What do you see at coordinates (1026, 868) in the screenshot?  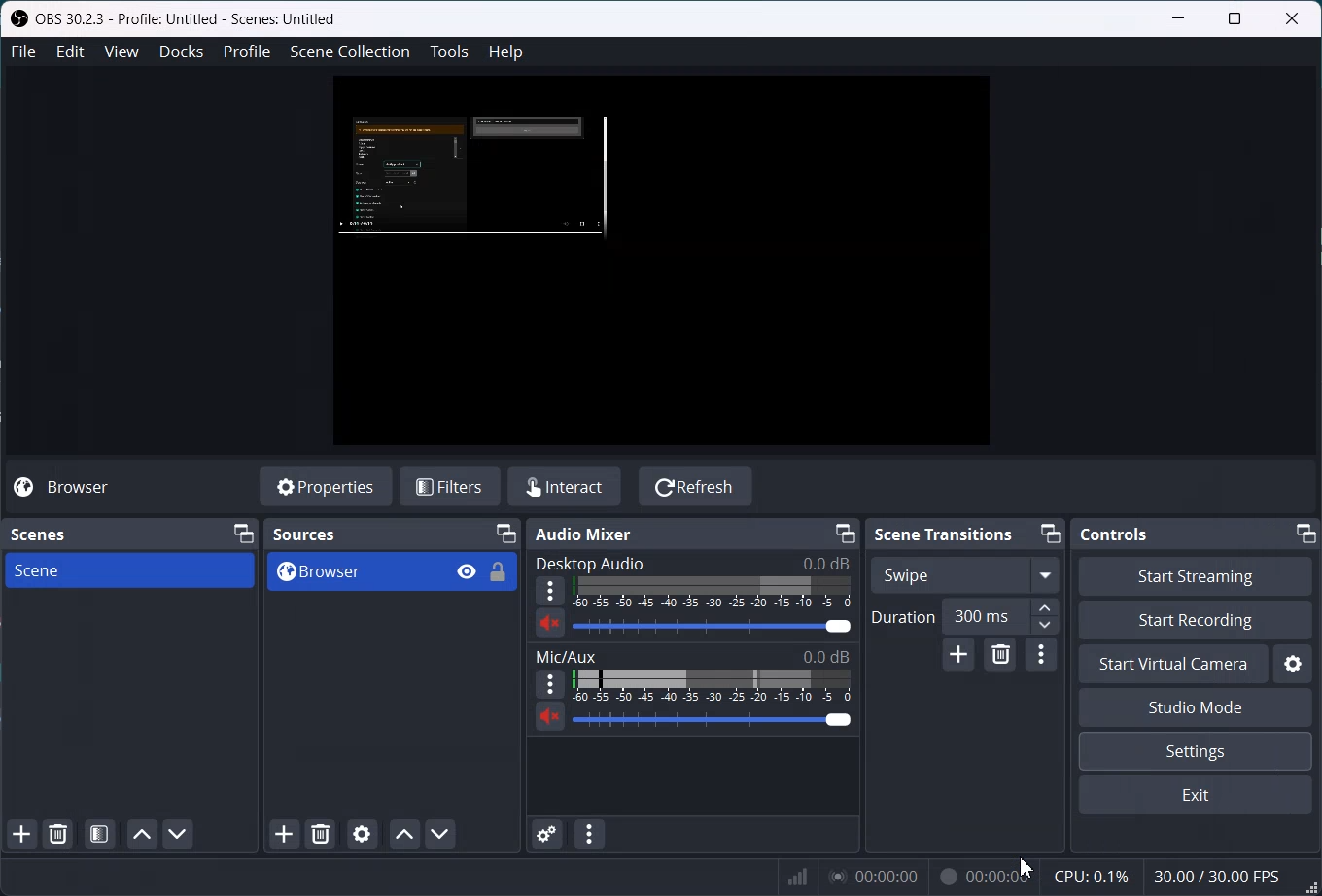 I see `Cursor` at bounding box center [1026, 868].